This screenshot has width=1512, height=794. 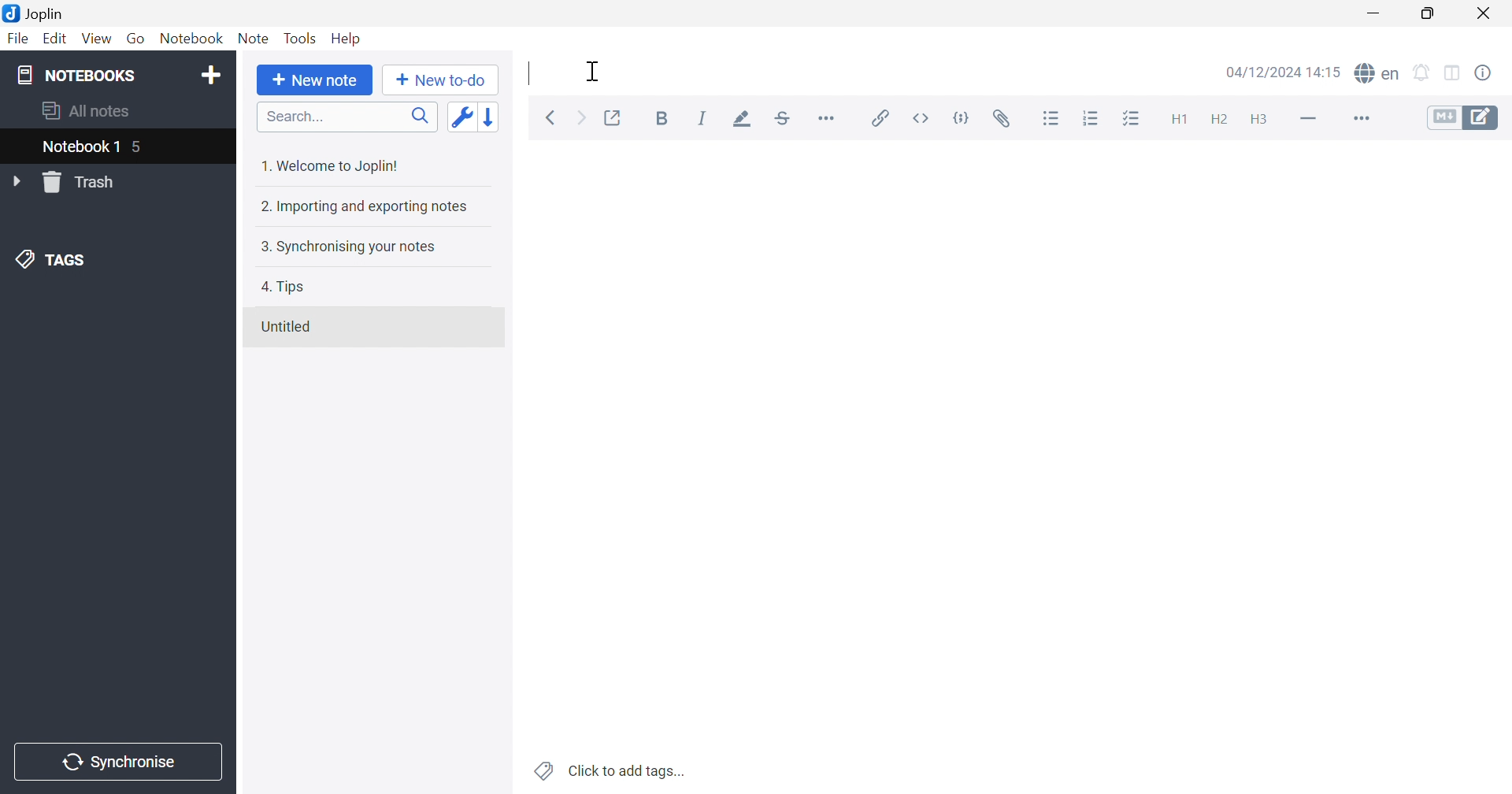 What do you see at coordinates (492, 117) in the screenshot?
I see `Reverse sort order` at bounding box center [492, 117].